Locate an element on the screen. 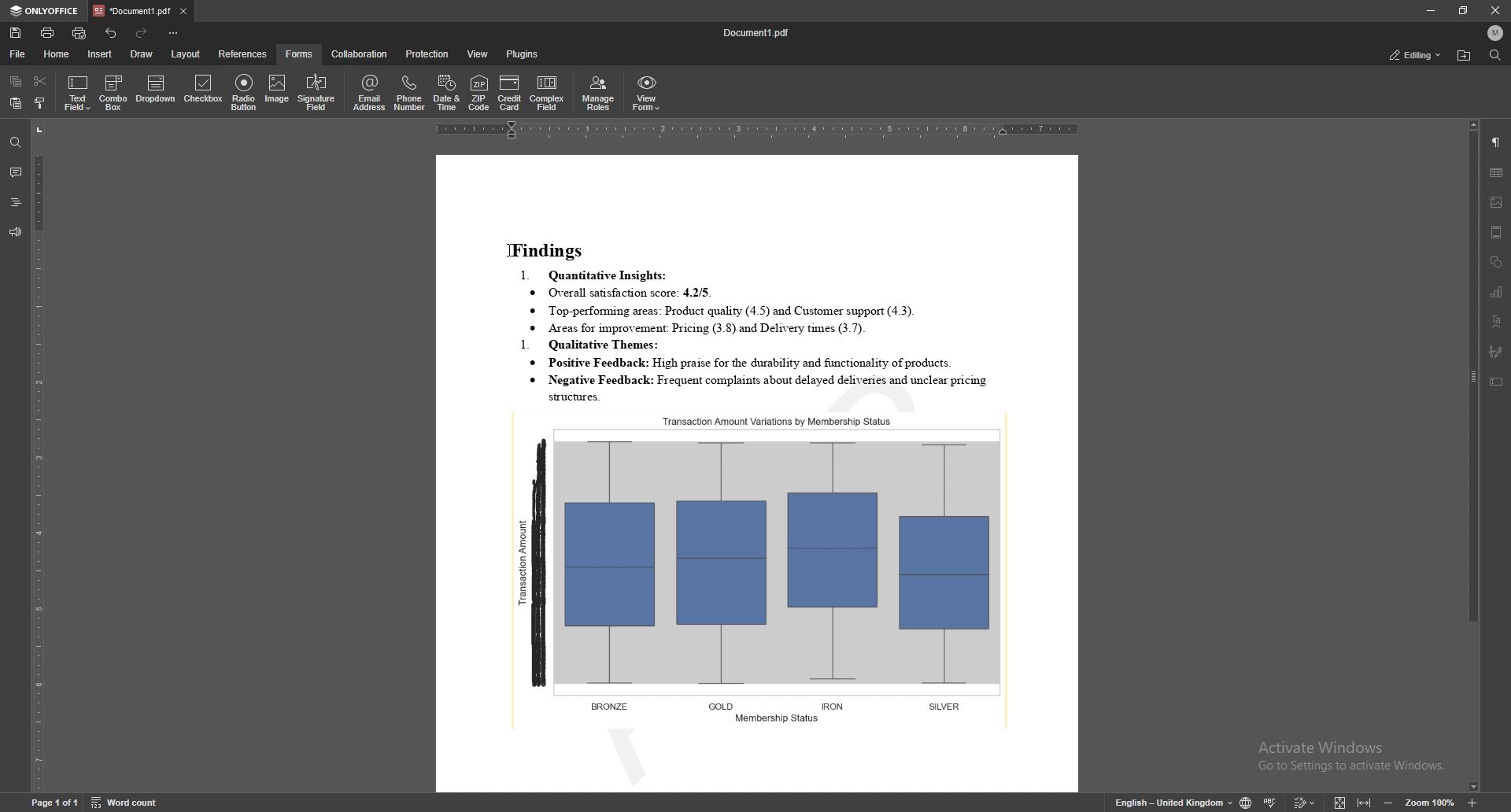  1. Qualitative Themes: is located at coordinates (595, 345).